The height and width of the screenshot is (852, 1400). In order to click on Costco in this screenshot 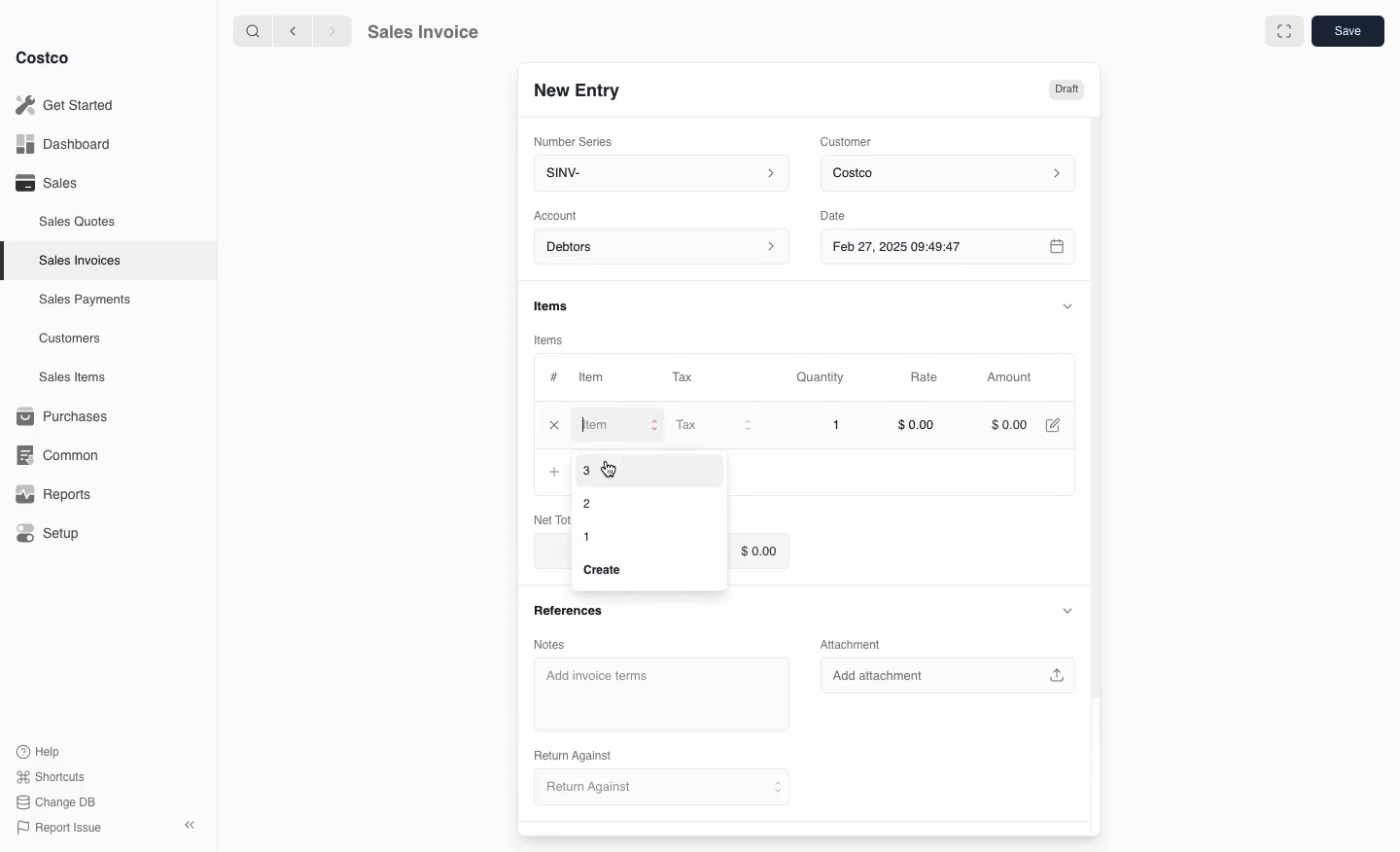, I will do `click(951, 174)`.